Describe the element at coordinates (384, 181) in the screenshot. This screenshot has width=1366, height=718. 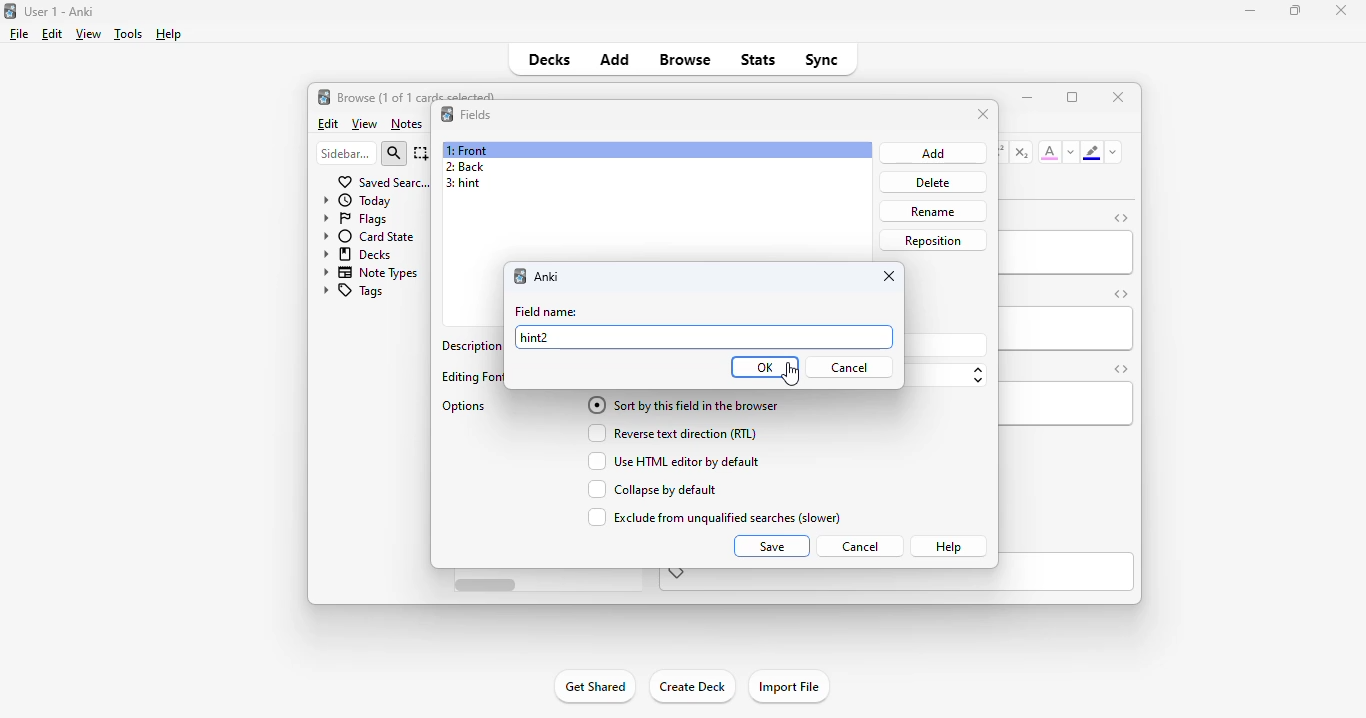
I see `saved searches` at that location.